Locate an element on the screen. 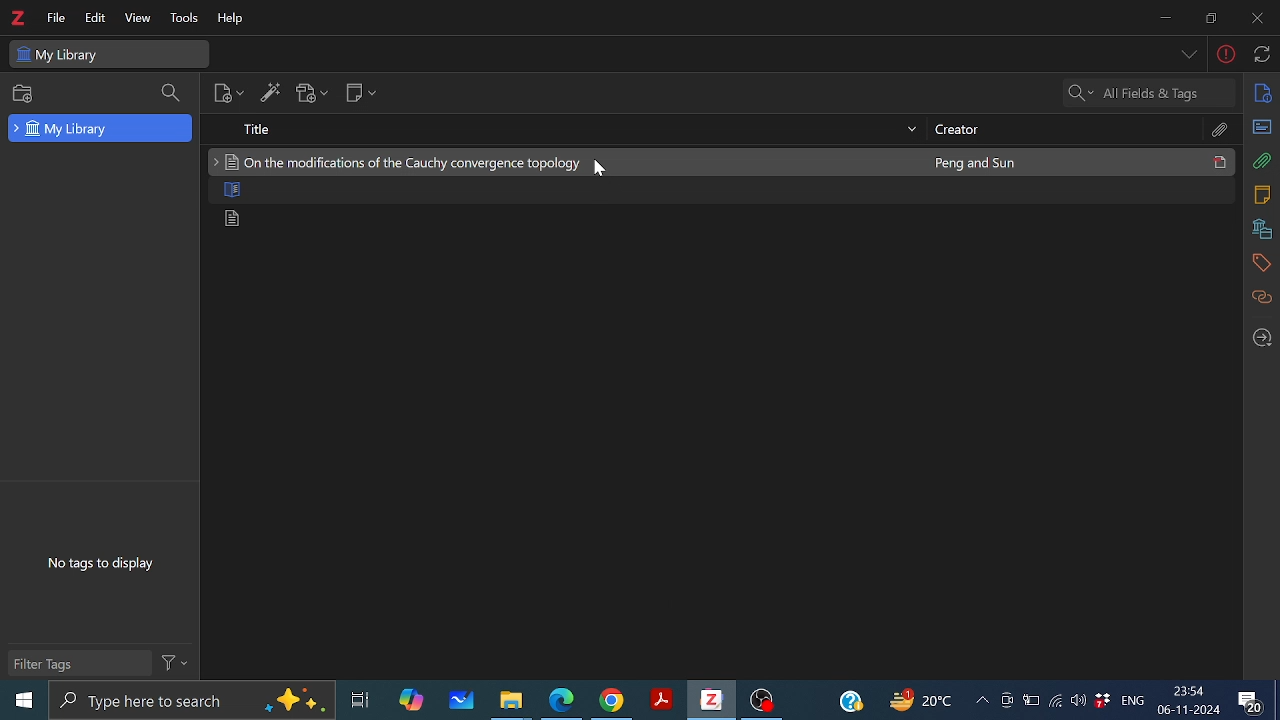  Whiteboard is located at coordinates (459, 701).